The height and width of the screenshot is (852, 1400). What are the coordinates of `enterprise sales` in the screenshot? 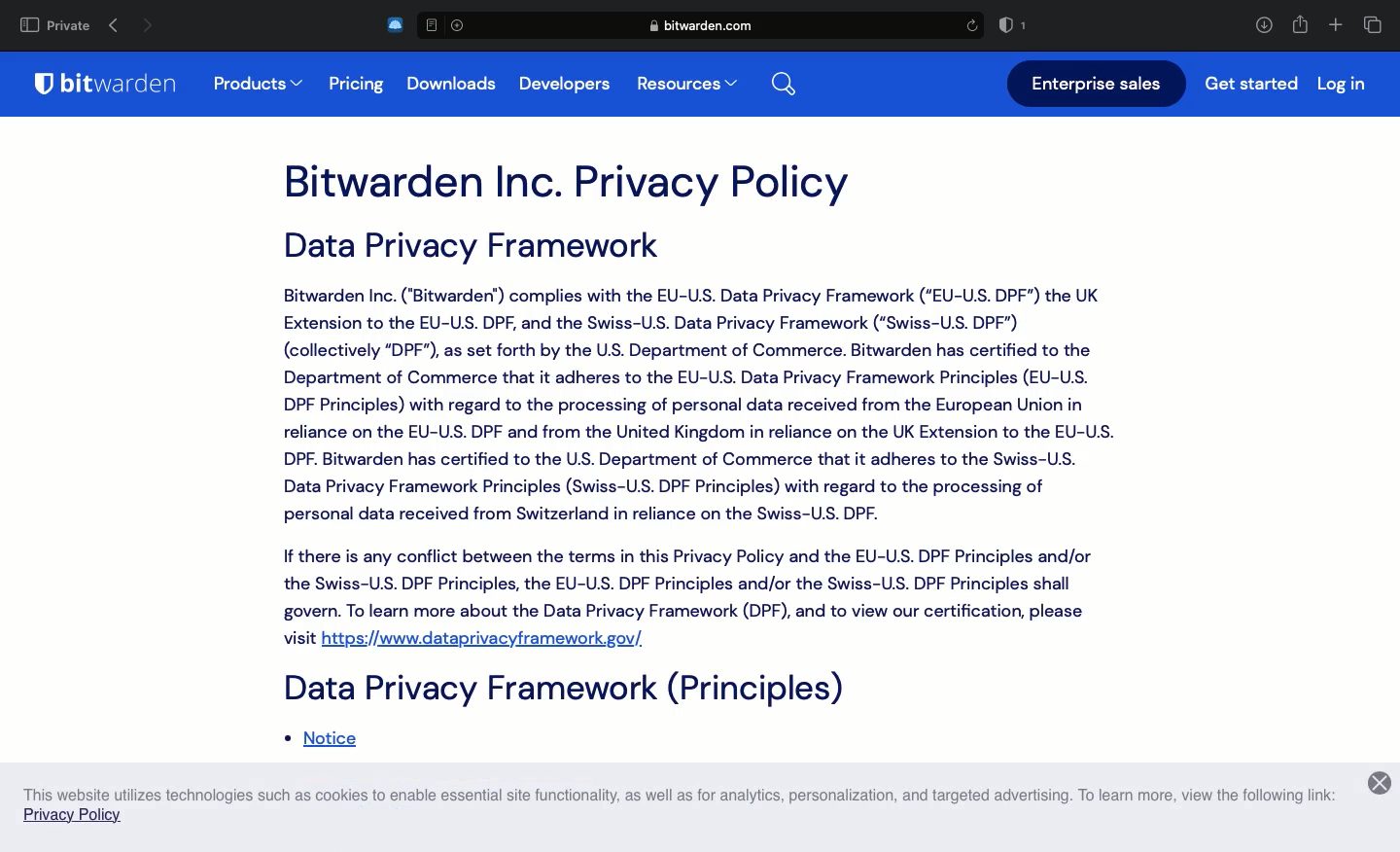 It's located at (1098, 82).